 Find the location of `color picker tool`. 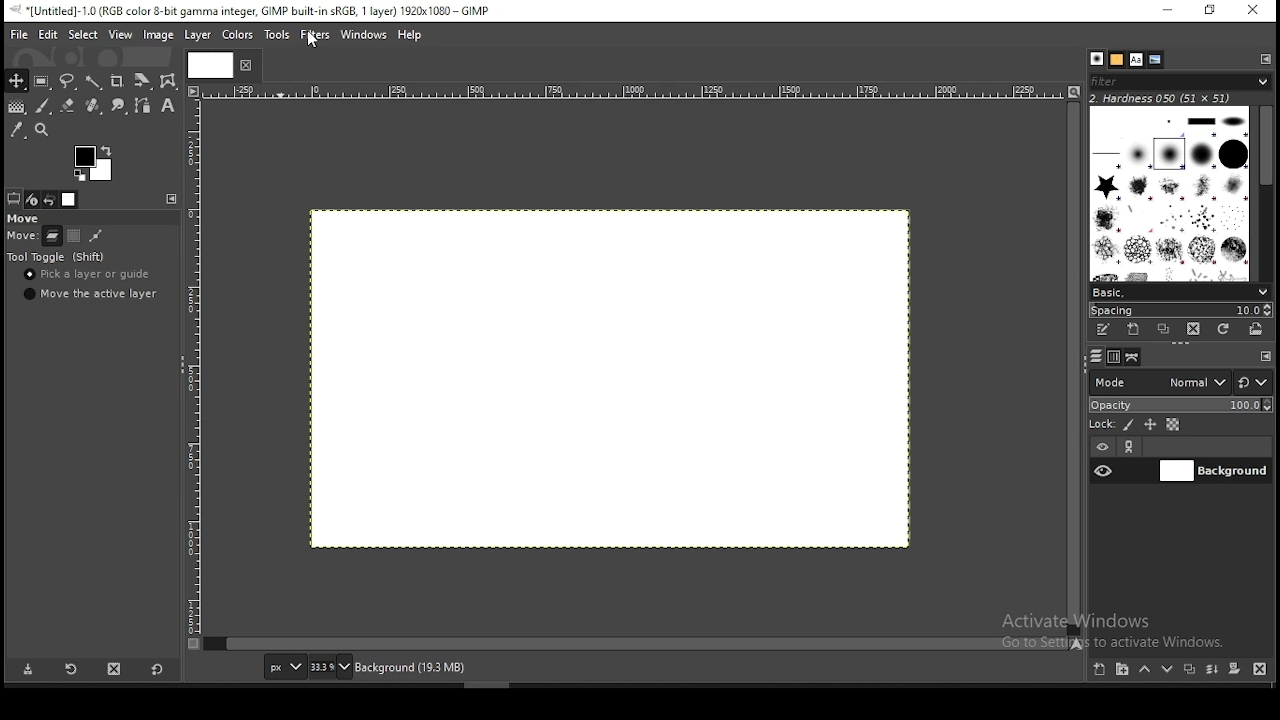

color picker tool is located at coordinates (17, 129).